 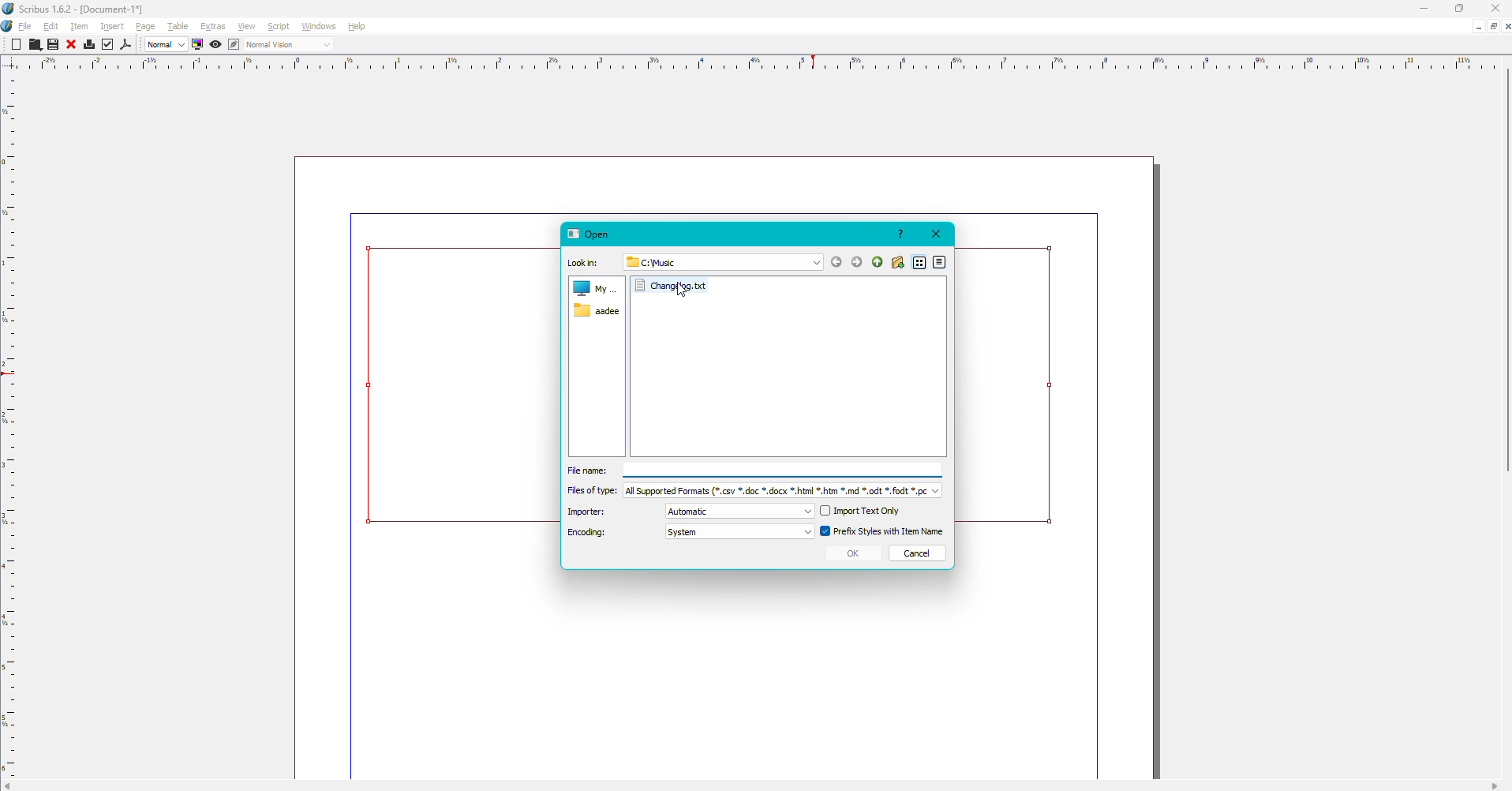 What do you see at coordinates (690, 535) in the screenshot?
I see `Encoding` at bounding box center [690, 535].